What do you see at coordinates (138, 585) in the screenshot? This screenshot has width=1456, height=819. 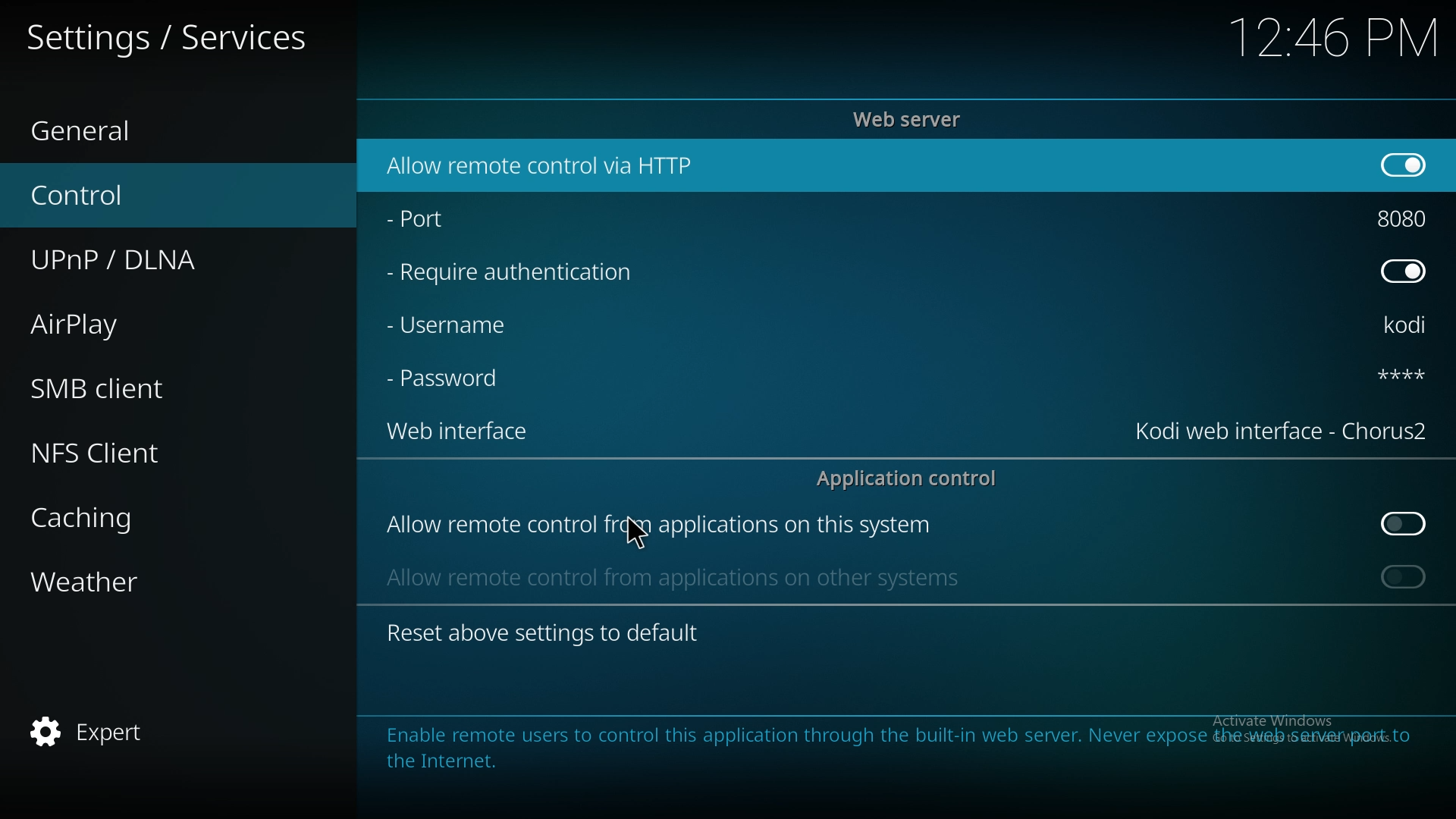 I see `weather` at bounding box center [138, 585].